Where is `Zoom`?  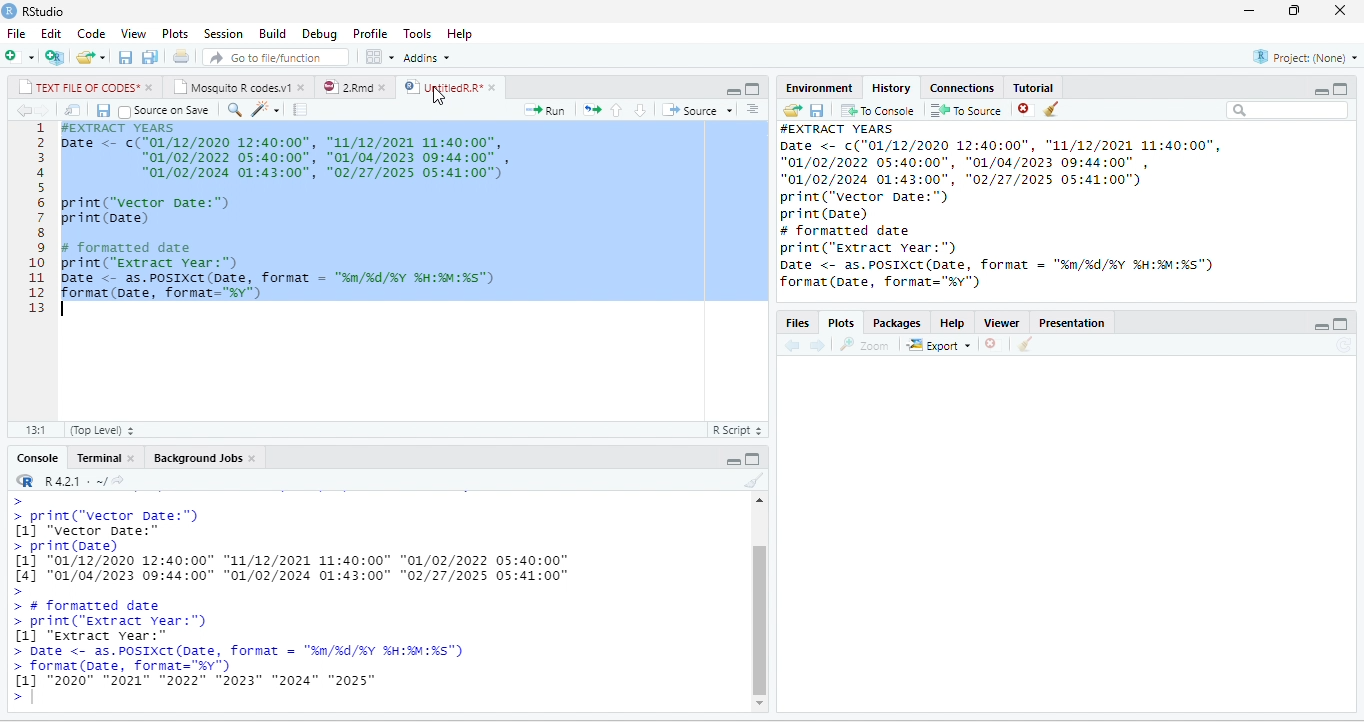 Zoom is located at coordinates (864, 344).